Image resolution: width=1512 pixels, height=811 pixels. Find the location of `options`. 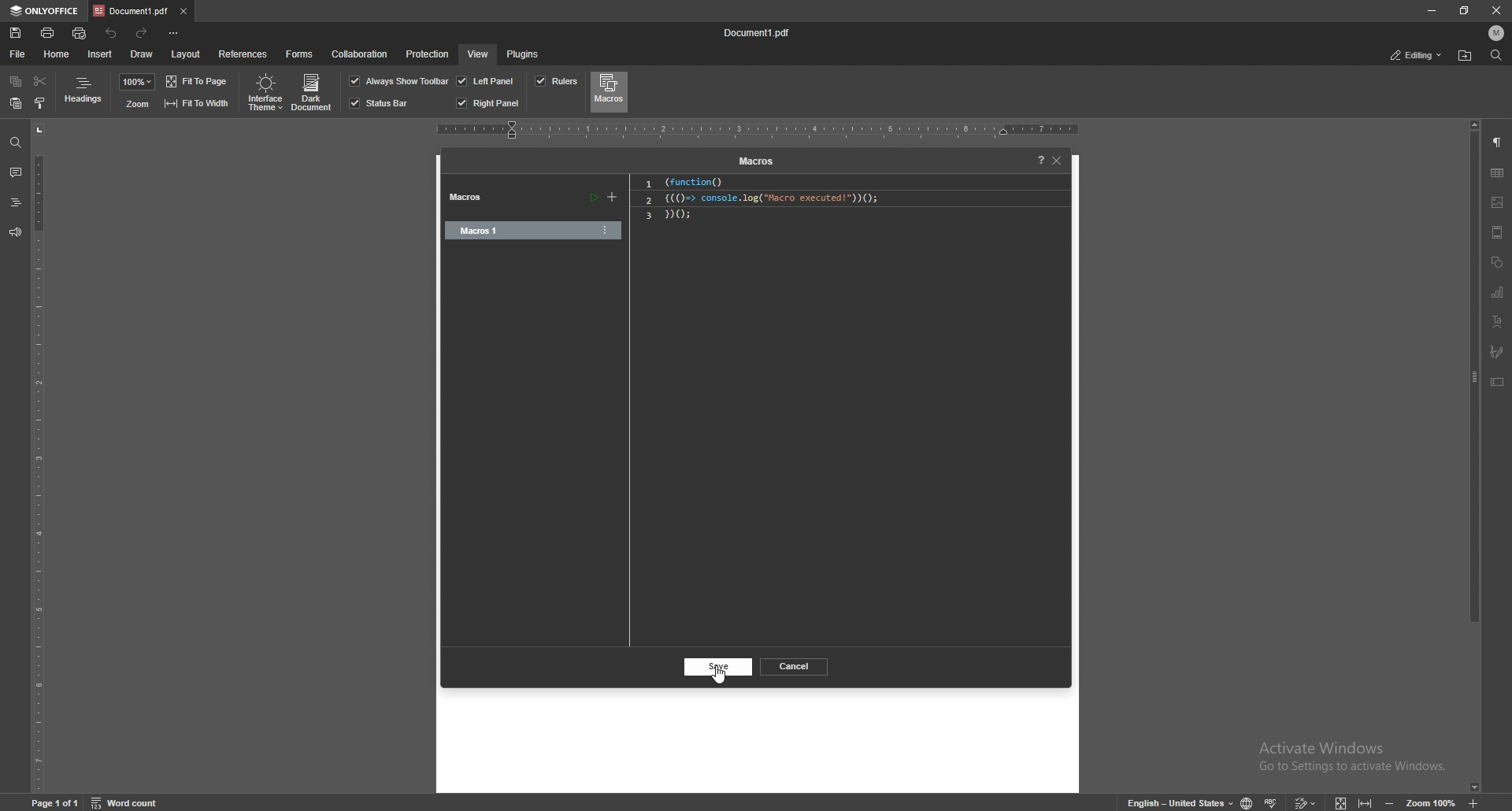

options is located at coordinates (606, 230).